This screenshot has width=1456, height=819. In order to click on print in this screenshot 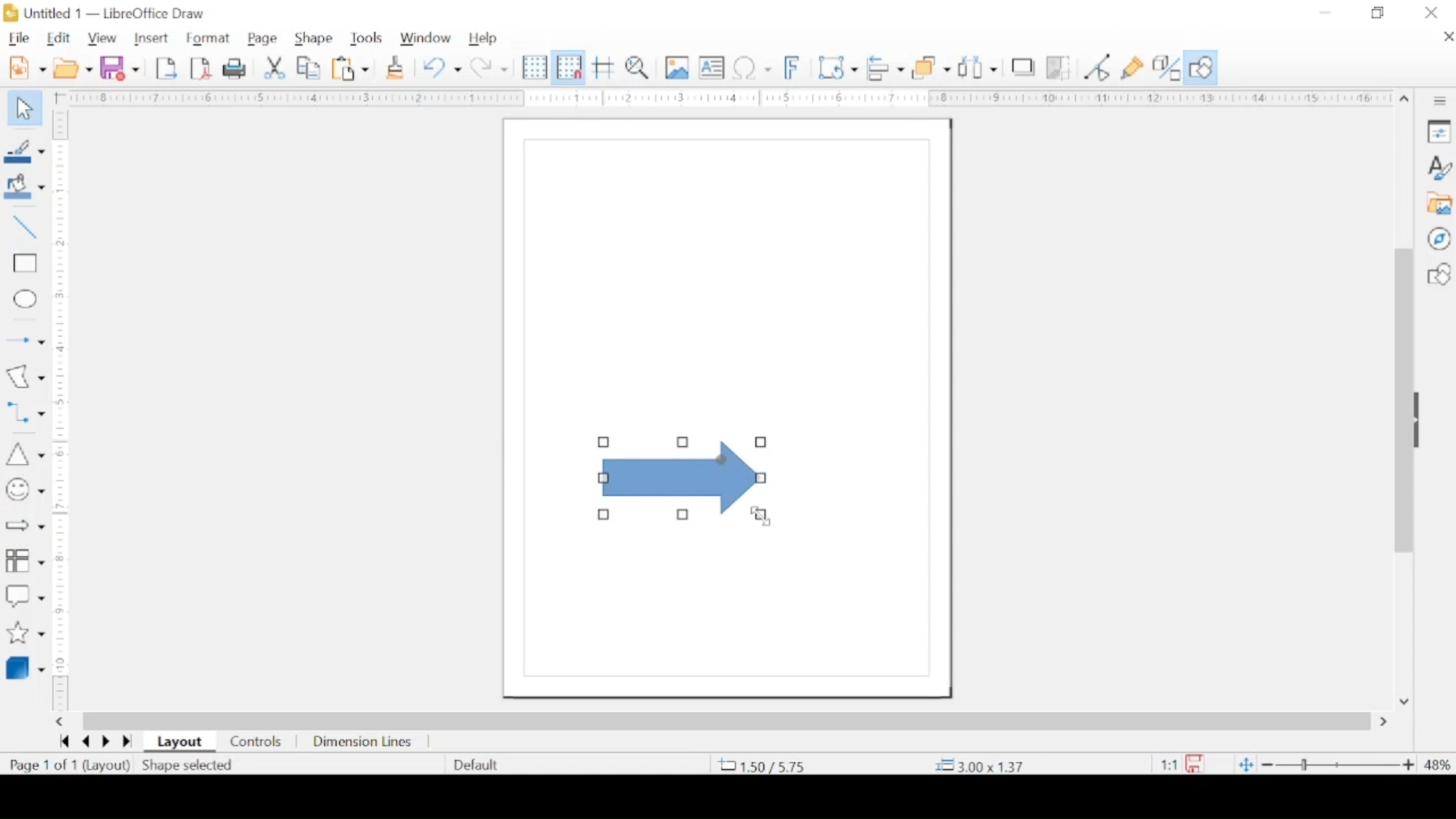, I will do `click(237, 68)`.